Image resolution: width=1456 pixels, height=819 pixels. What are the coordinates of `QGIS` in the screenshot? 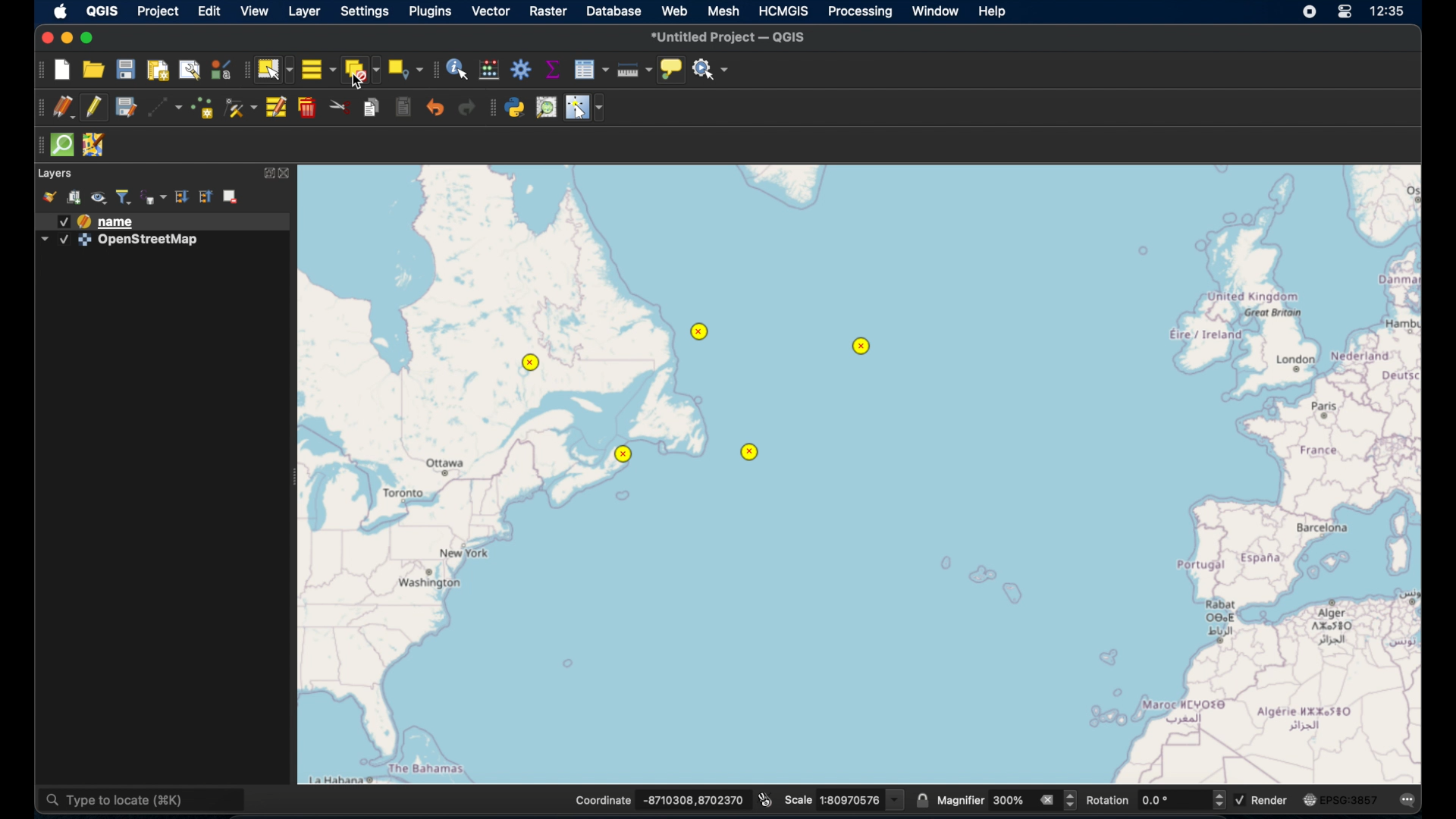 It's located at (102, 12).